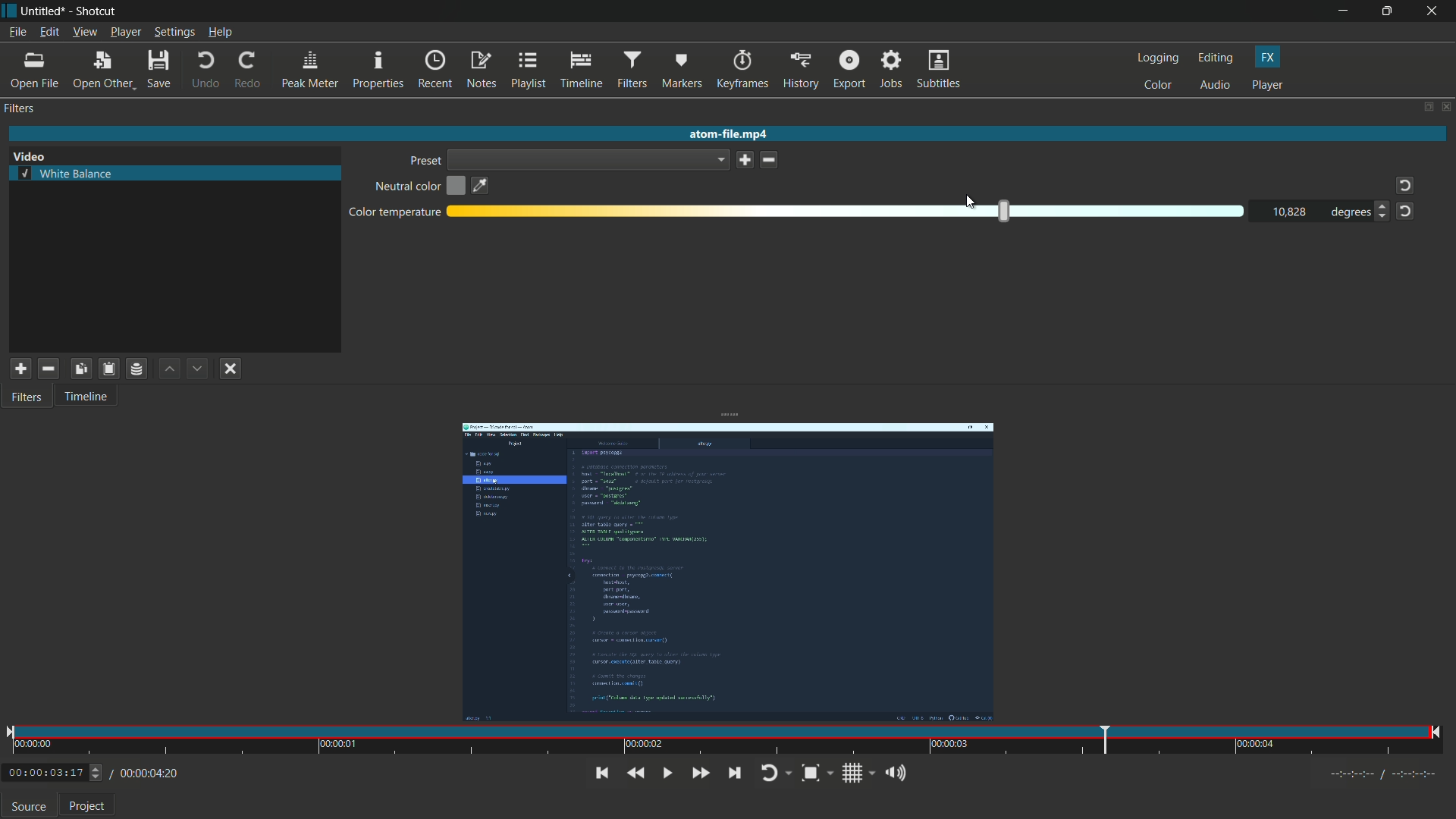 The image size is (1456, 819). What do you see at coordinates (379, 71) in the screenshot?
I see `properties` at bounding box center [379, 71].